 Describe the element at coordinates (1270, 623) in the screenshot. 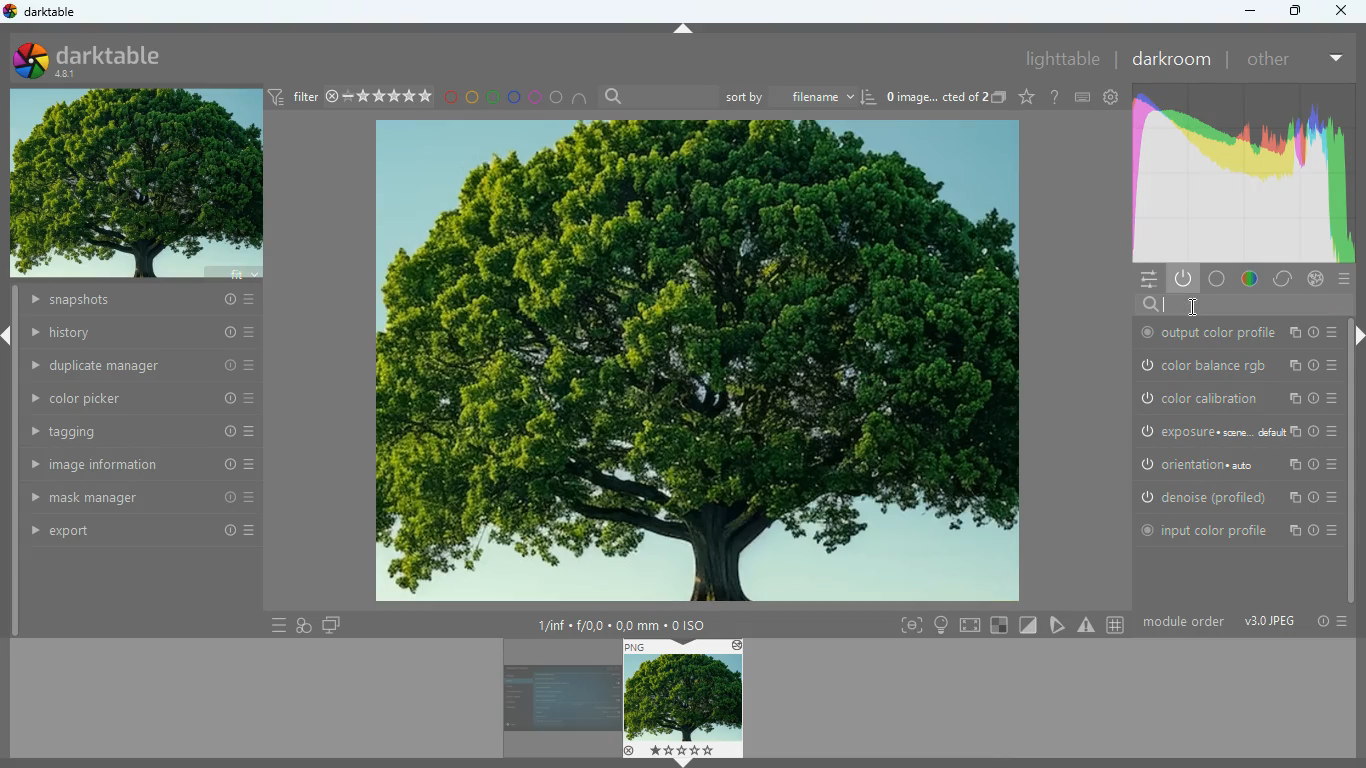

I see `image type` at that location.